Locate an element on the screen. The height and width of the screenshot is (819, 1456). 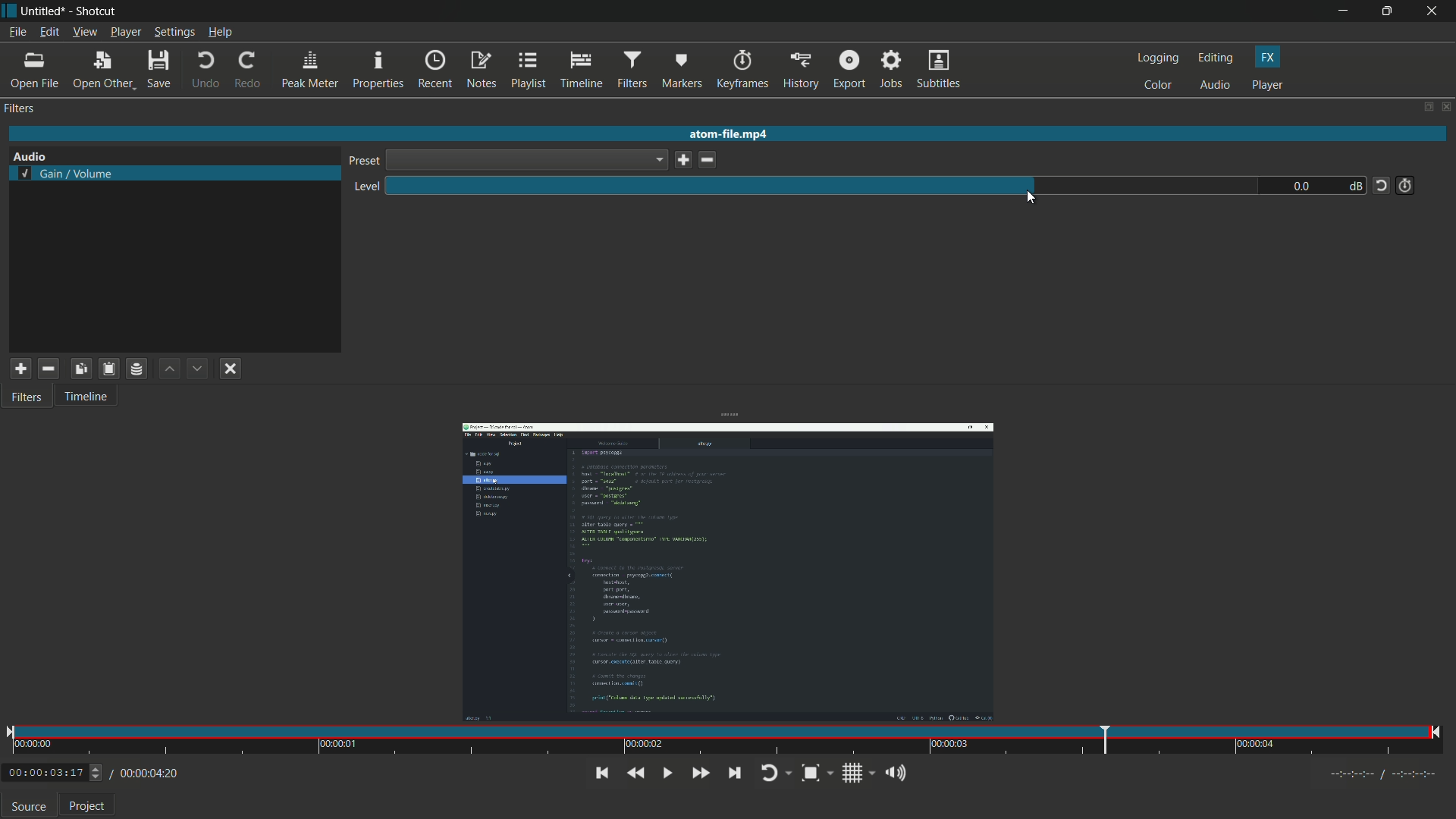
player menu is located at coordinates (126, 32).